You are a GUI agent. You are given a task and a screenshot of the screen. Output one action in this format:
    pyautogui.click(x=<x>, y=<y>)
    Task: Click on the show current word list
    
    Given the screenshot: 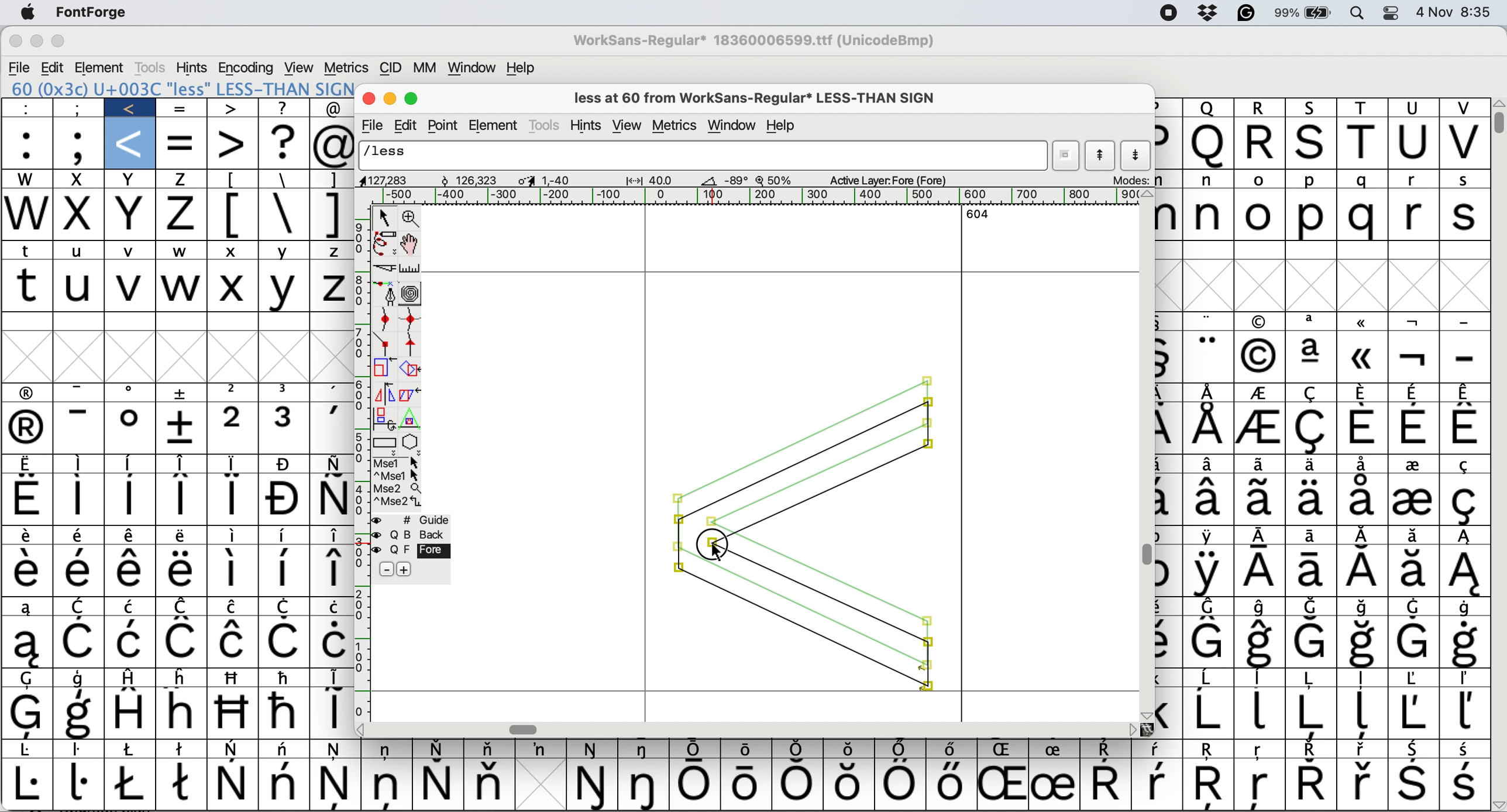 What is the action you would take?
    pyautogui.click(x=1069, y=155)
    